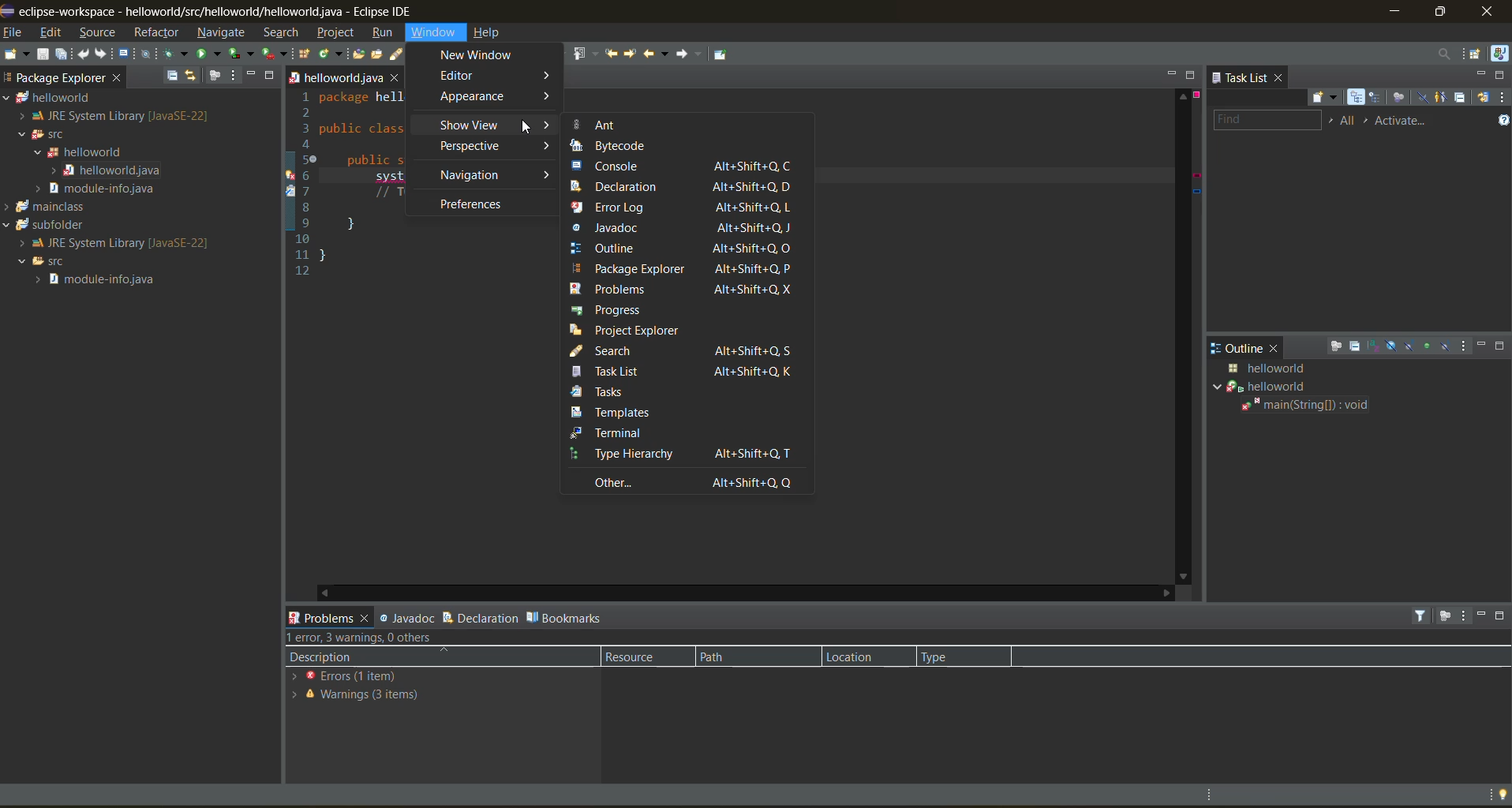 Image resolution: width=1512 pixels, height=808 pixels. What do you see at coordinates (384, 33) in the screenshot?
I see `run` at bounding box center [384, 33].